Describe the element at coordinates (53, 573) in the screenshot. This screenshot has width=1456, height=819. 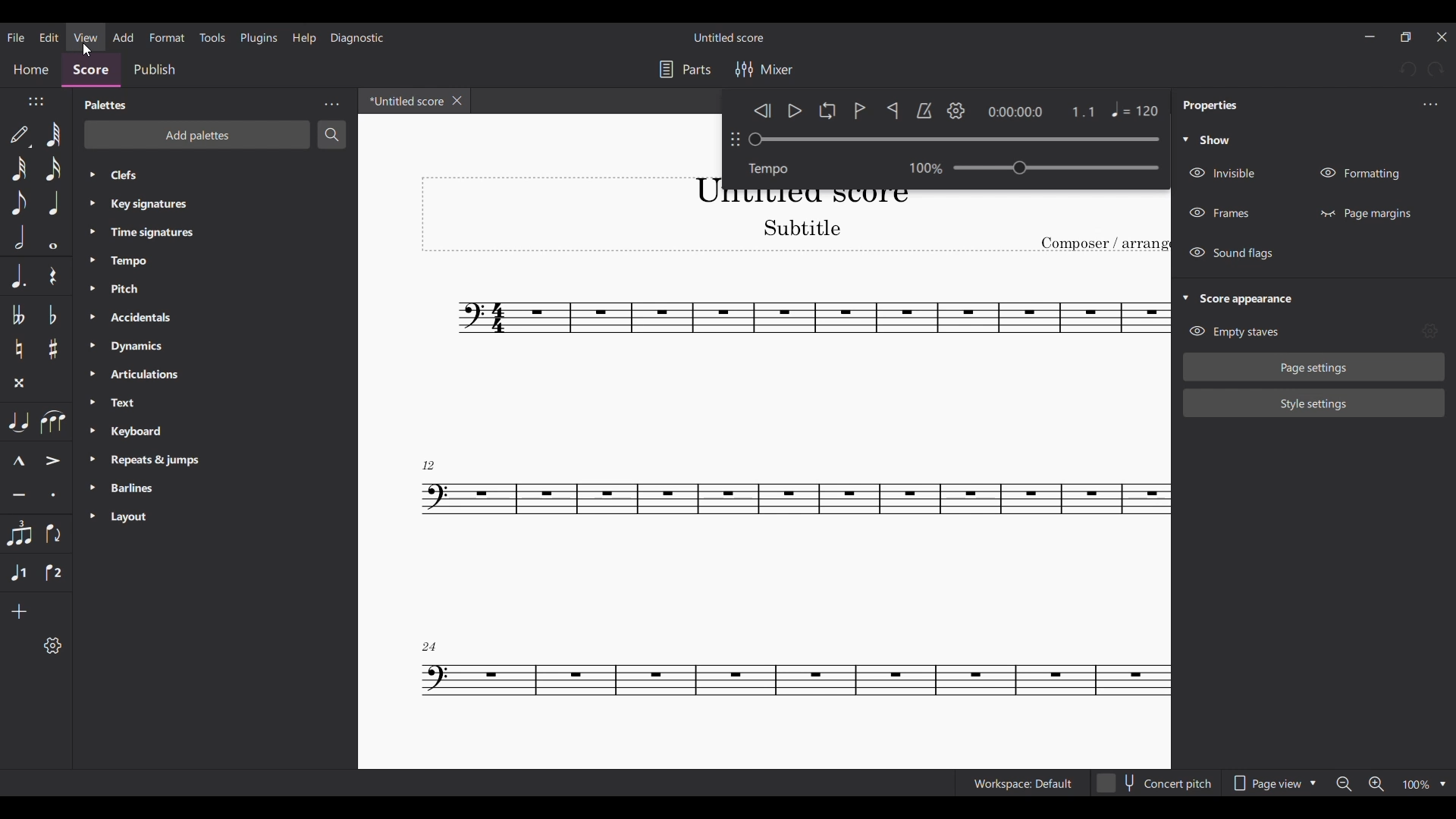
I see `Voice 2` at that location.